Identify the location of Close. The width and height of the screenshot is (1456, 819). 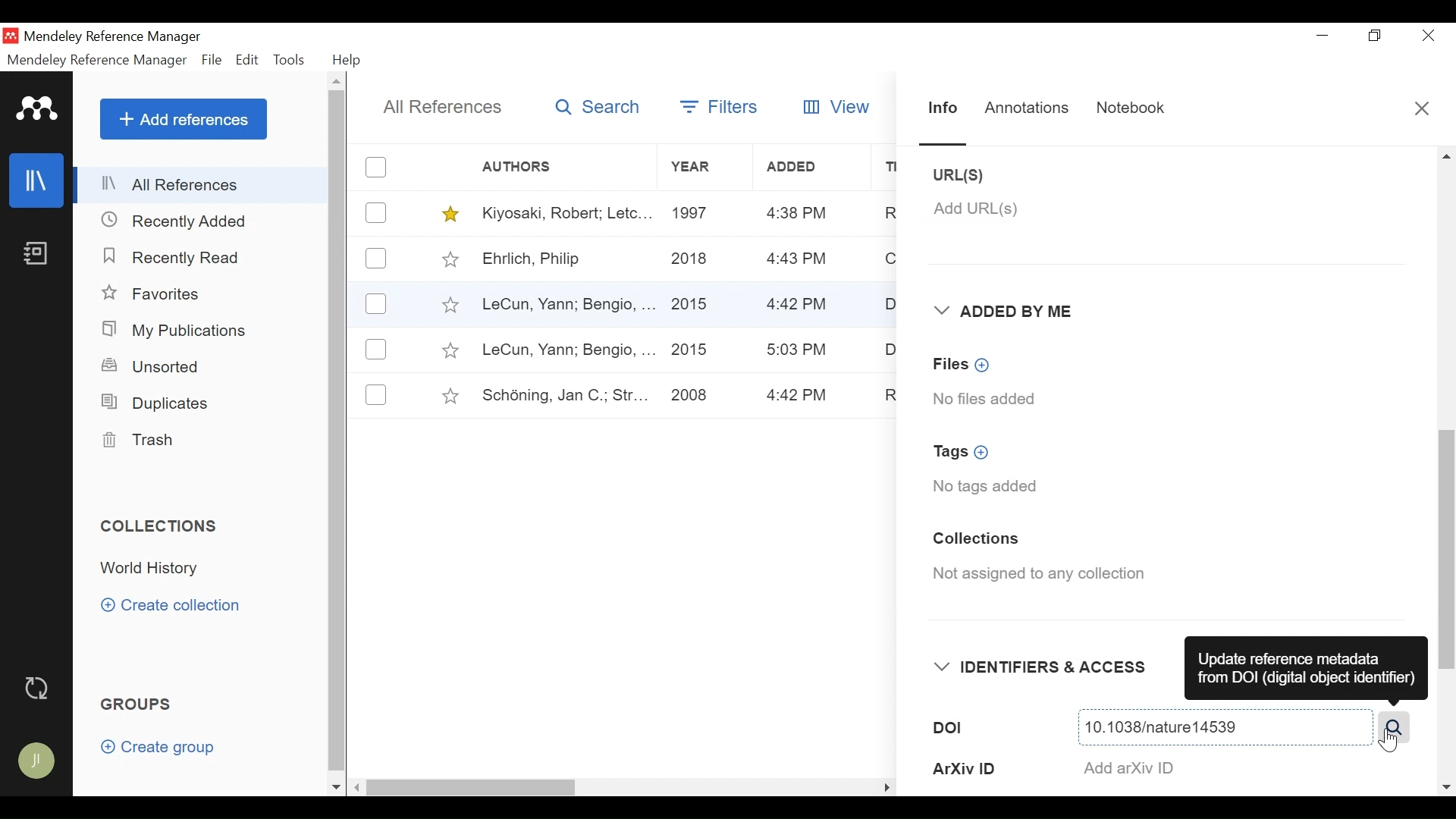
(1428, 36).